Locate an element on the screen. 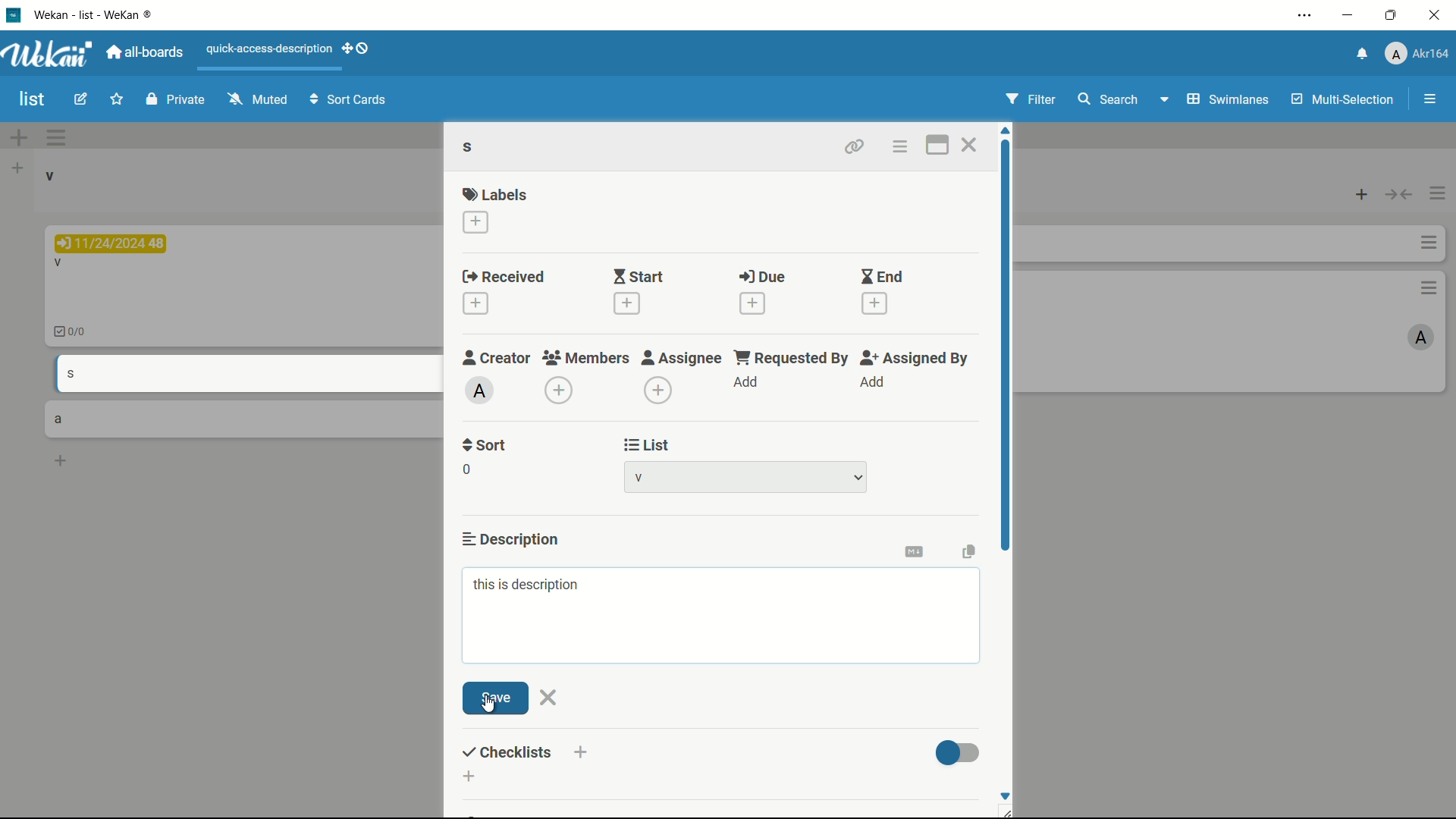  profile is located at coordinates (1419, 52).